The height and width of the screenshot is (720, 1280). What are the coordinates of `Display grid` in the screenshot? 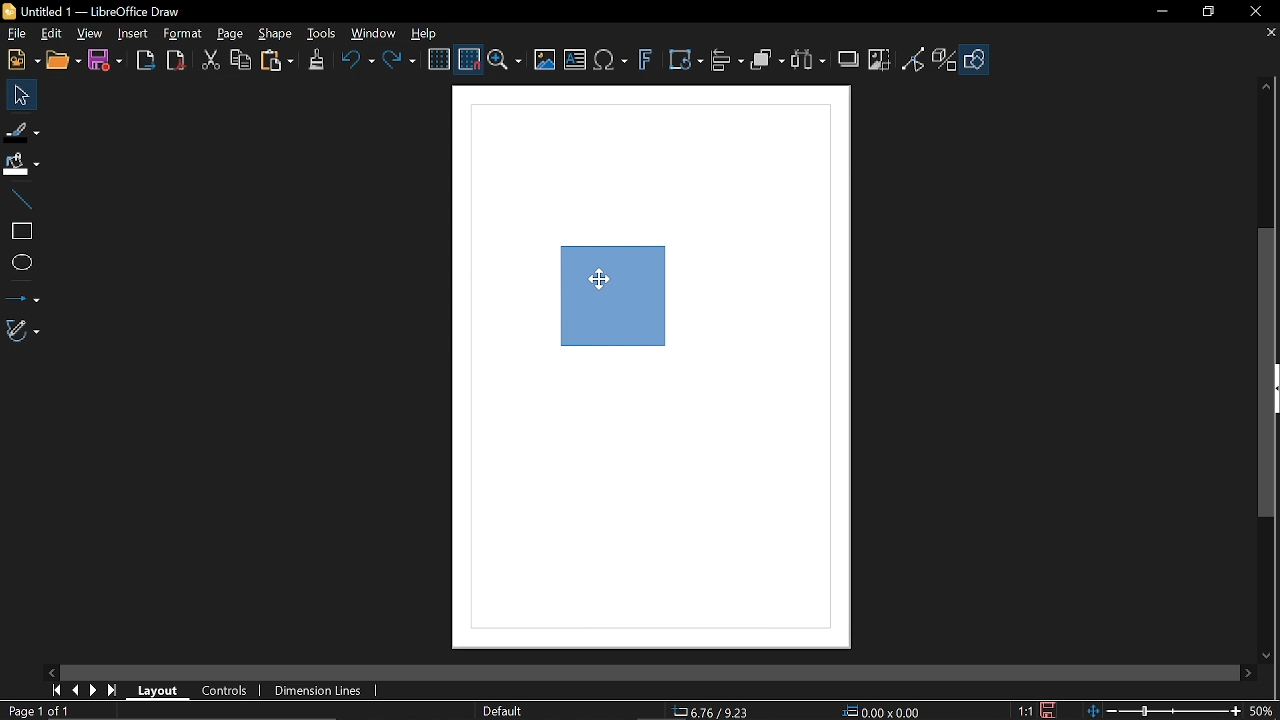 It's located at (438, 60).